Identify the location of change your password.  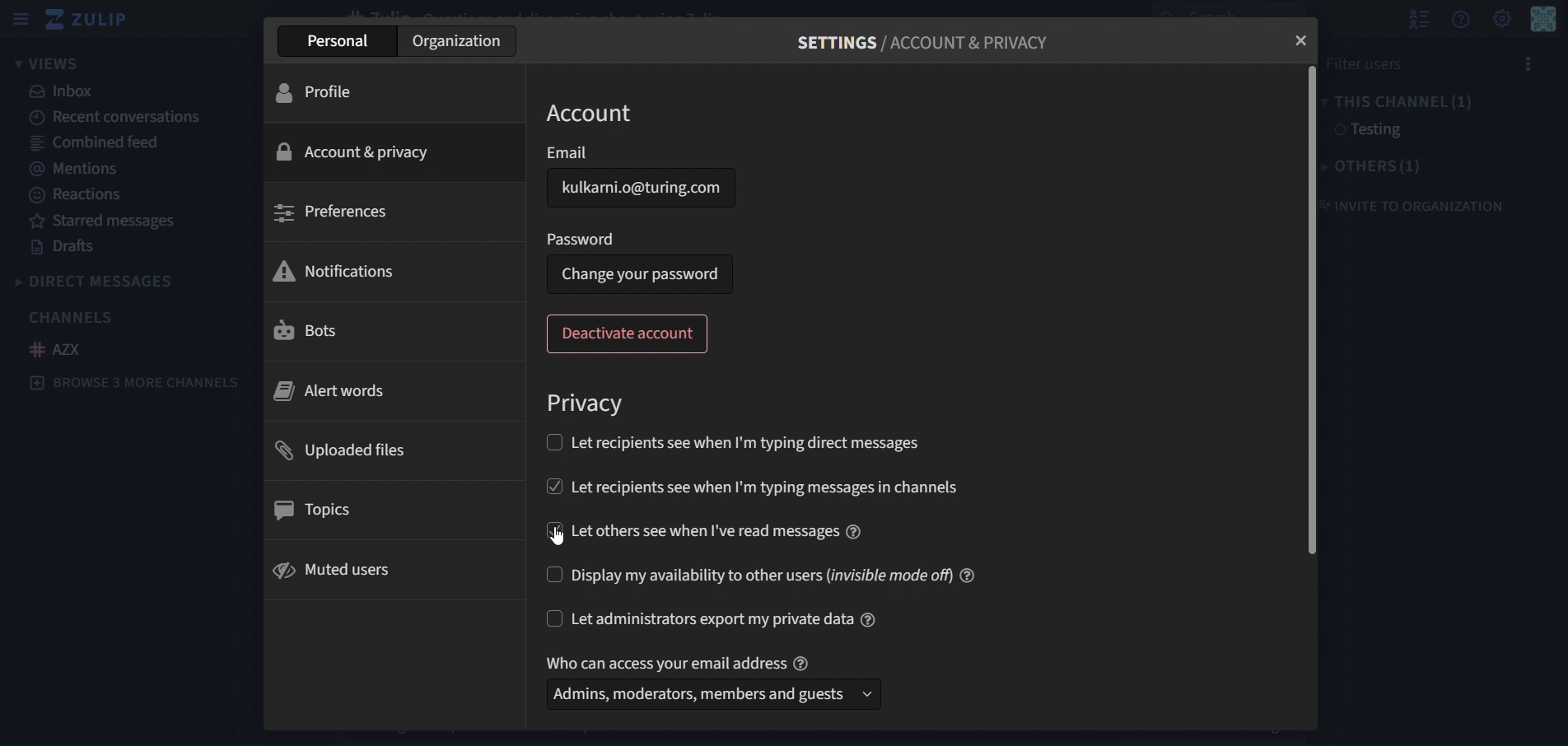
(641, 273).